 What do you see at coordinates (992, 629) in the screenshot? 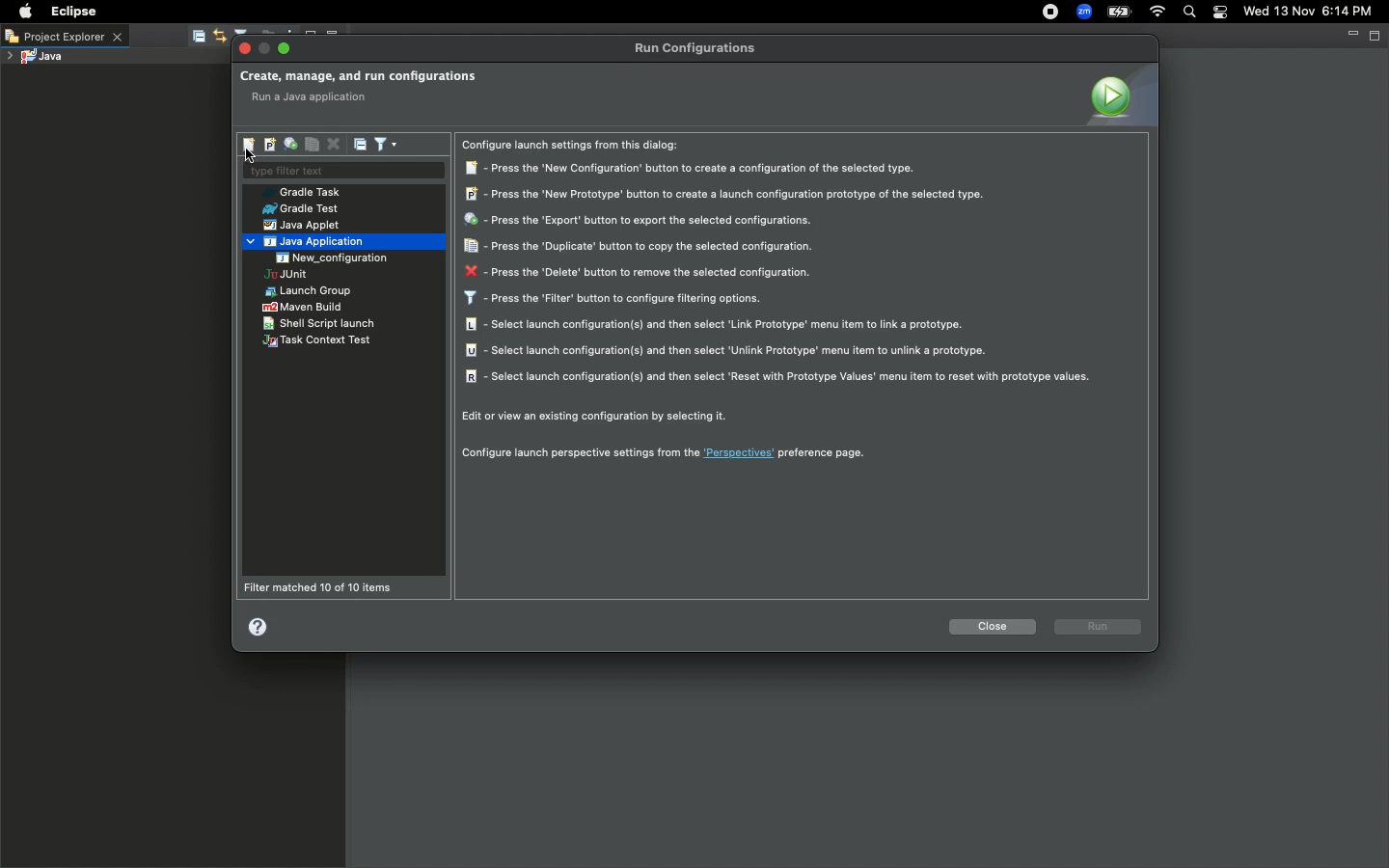
I see `Close` at bounding box center [992, 629].